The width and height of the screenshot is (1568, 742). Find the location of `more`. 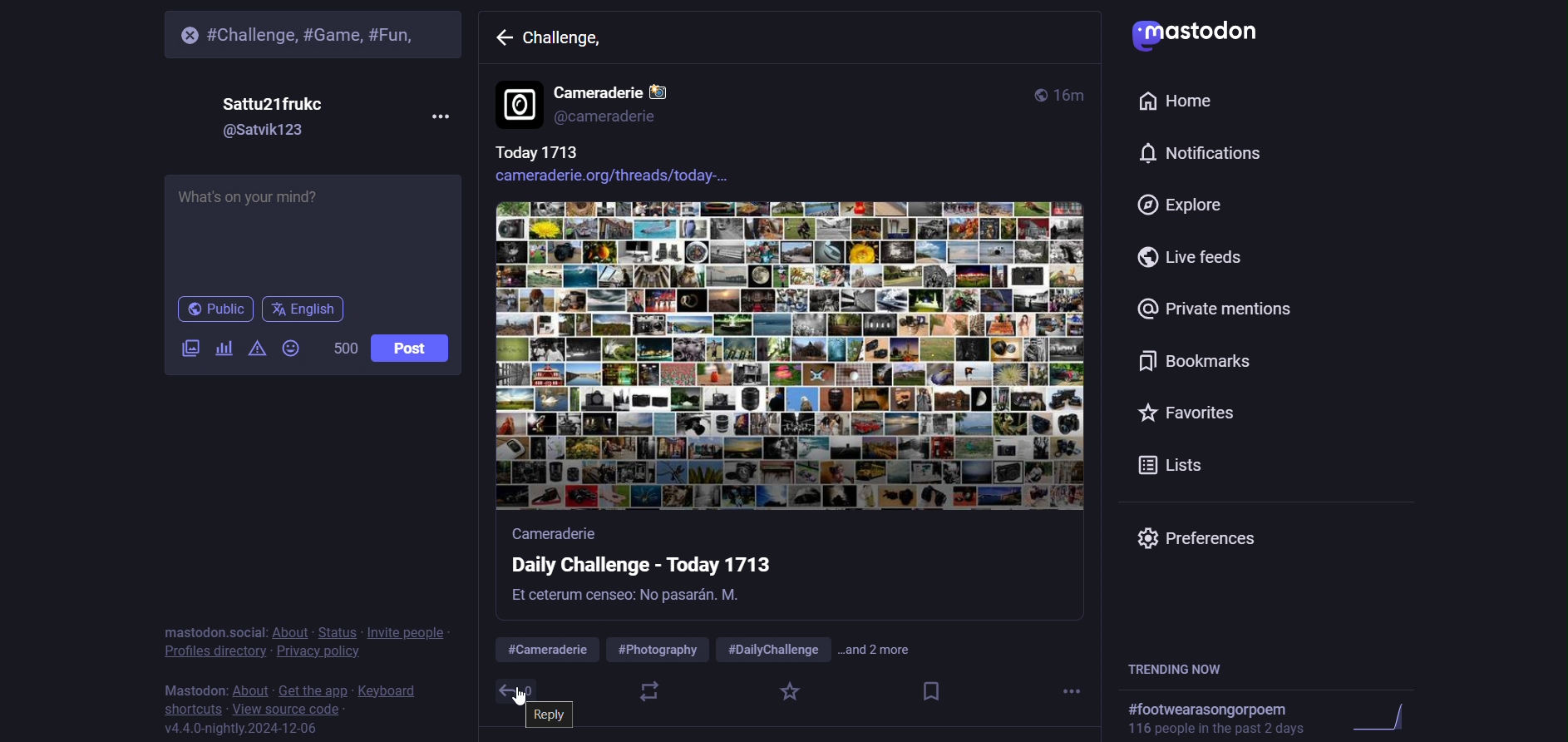

more is located at coordinates (1074, 693).